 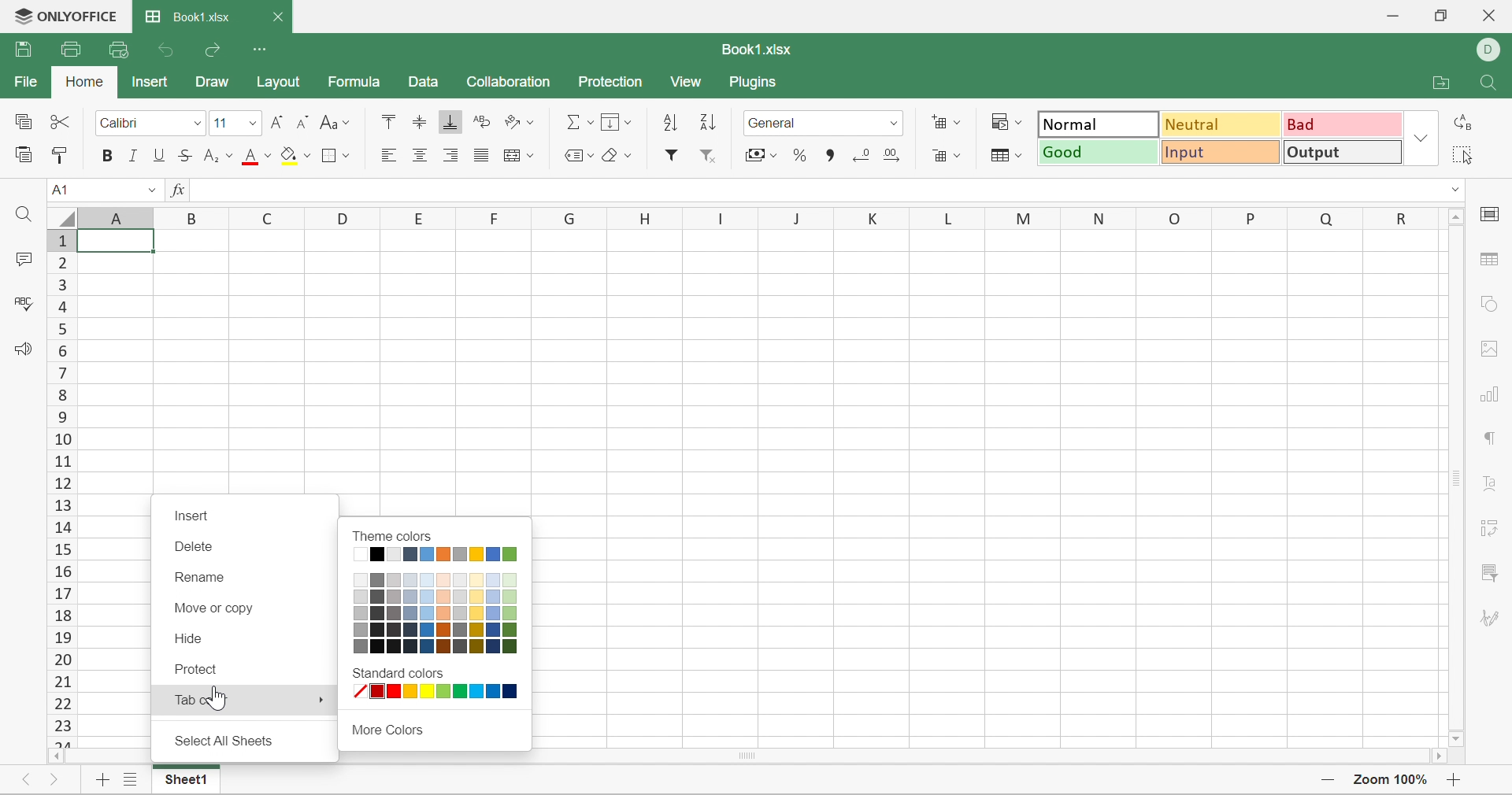 What do you see at coordinates (218, 157) in the screenshot?
I see `Superscript / Subscript` at bounding box center [218, 157].